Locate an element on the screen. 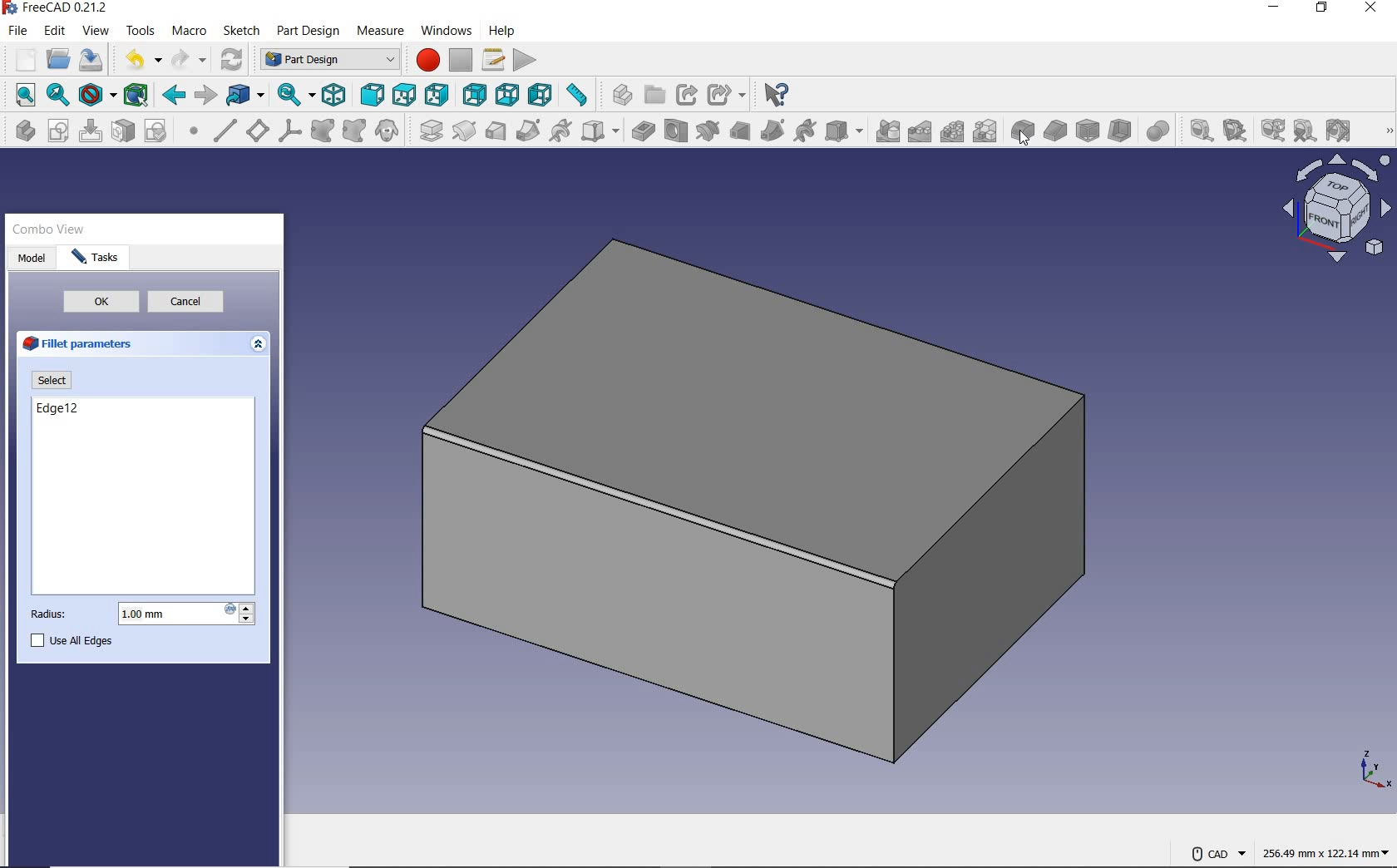 This screenshot has width=1397, height=868. additive loft is located at coordinates (496, 132).